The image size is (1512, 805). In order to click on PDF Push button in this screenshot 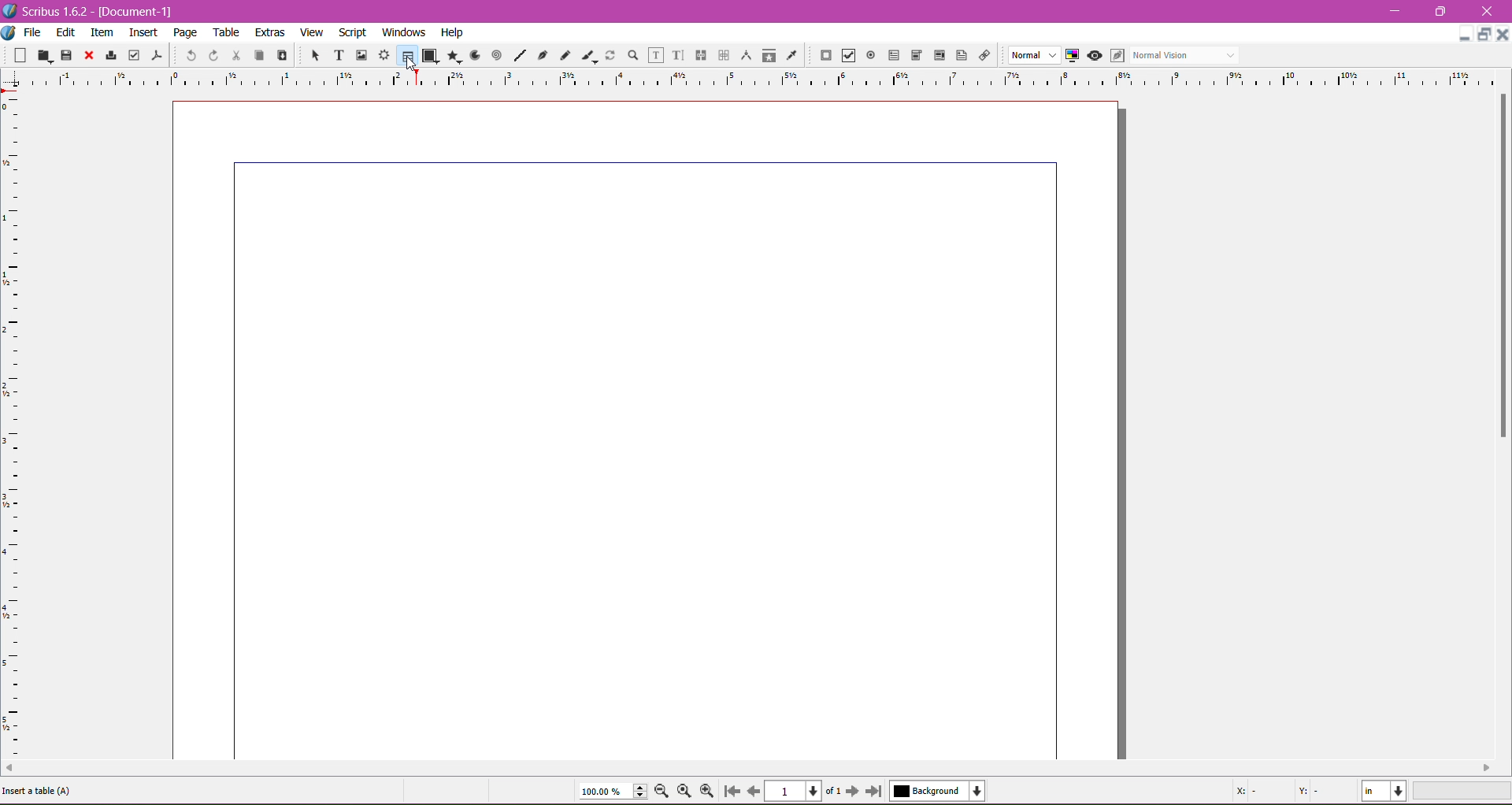, I will do `click(824, 56)`.